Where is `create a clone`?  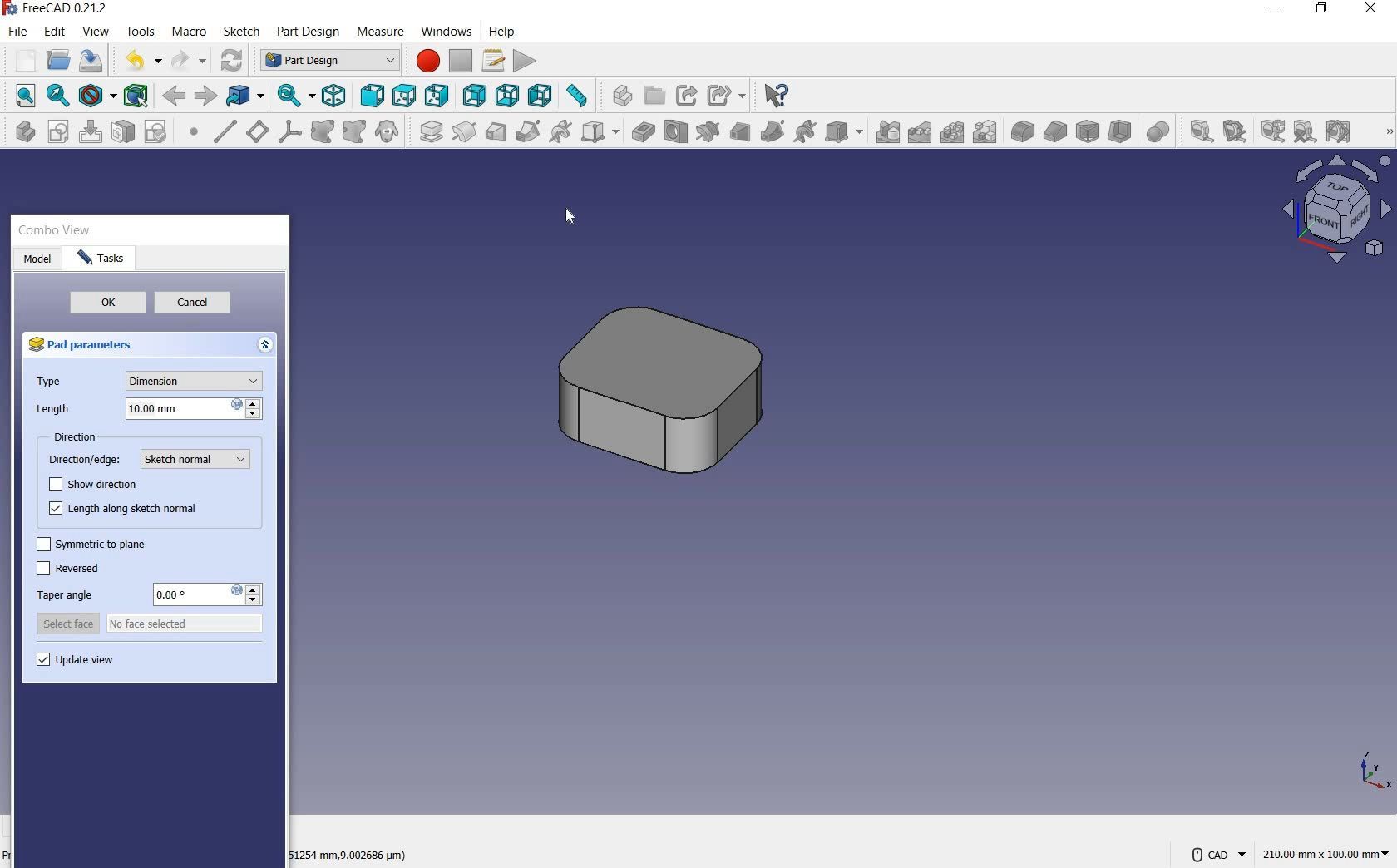 create a clone is located at coordinates (388, 131).